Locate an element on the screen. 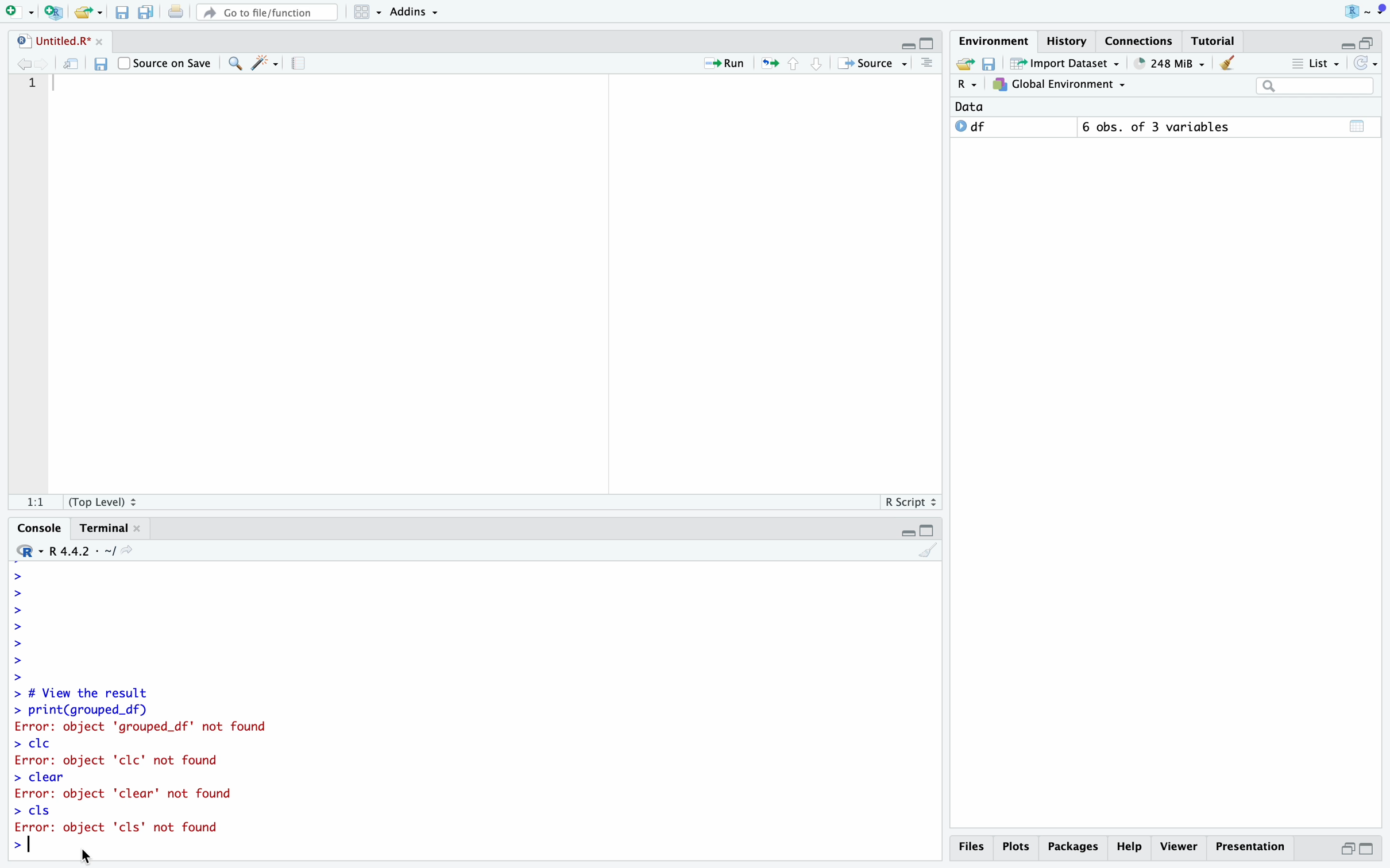 The height and width of the screenshot is (868, 1390). Full Height is located at coordinates (929, 530).